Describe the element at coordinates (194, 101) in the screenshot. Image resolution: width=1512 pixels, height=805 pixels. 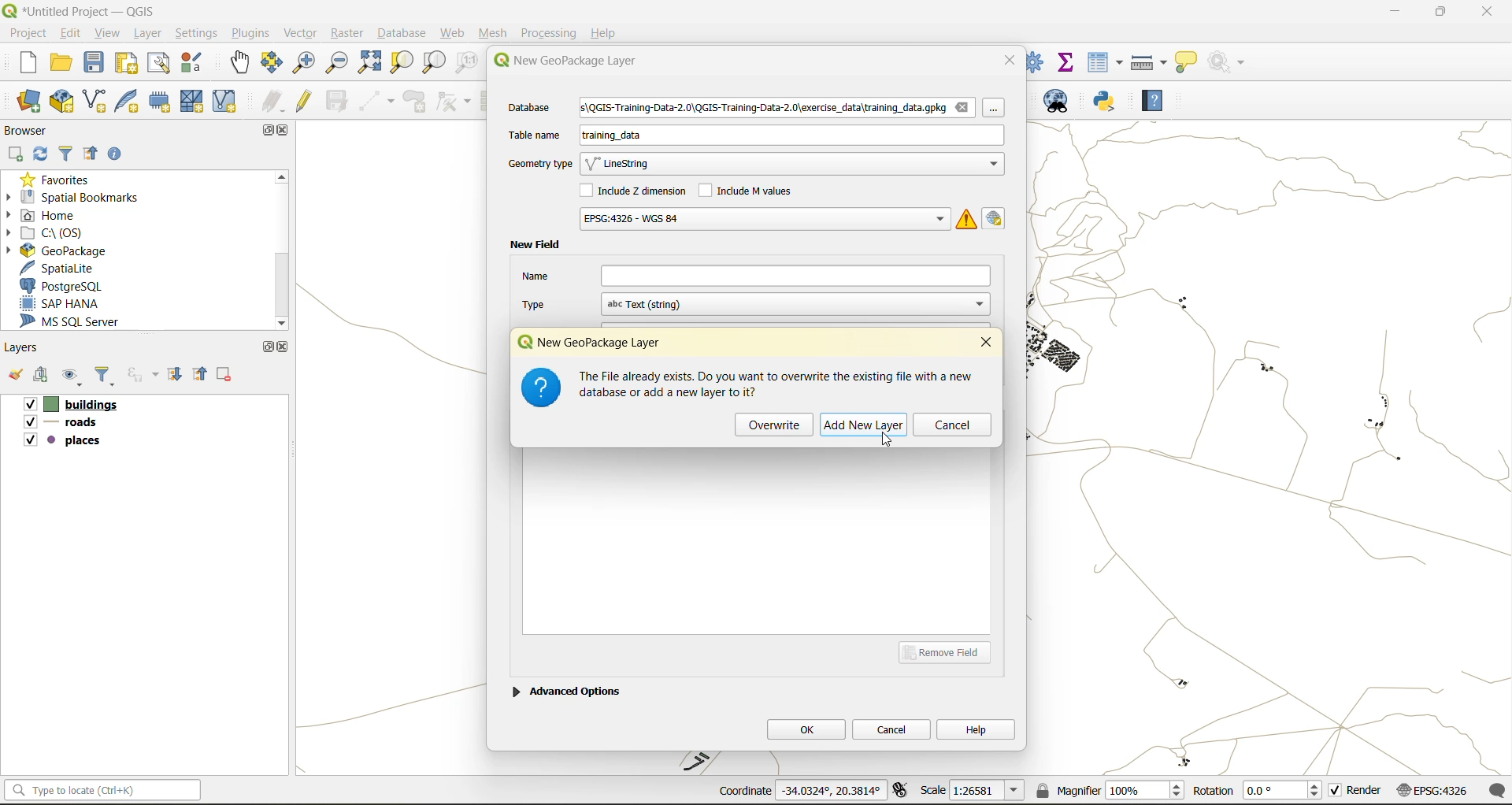
I see `mesh` at that location.